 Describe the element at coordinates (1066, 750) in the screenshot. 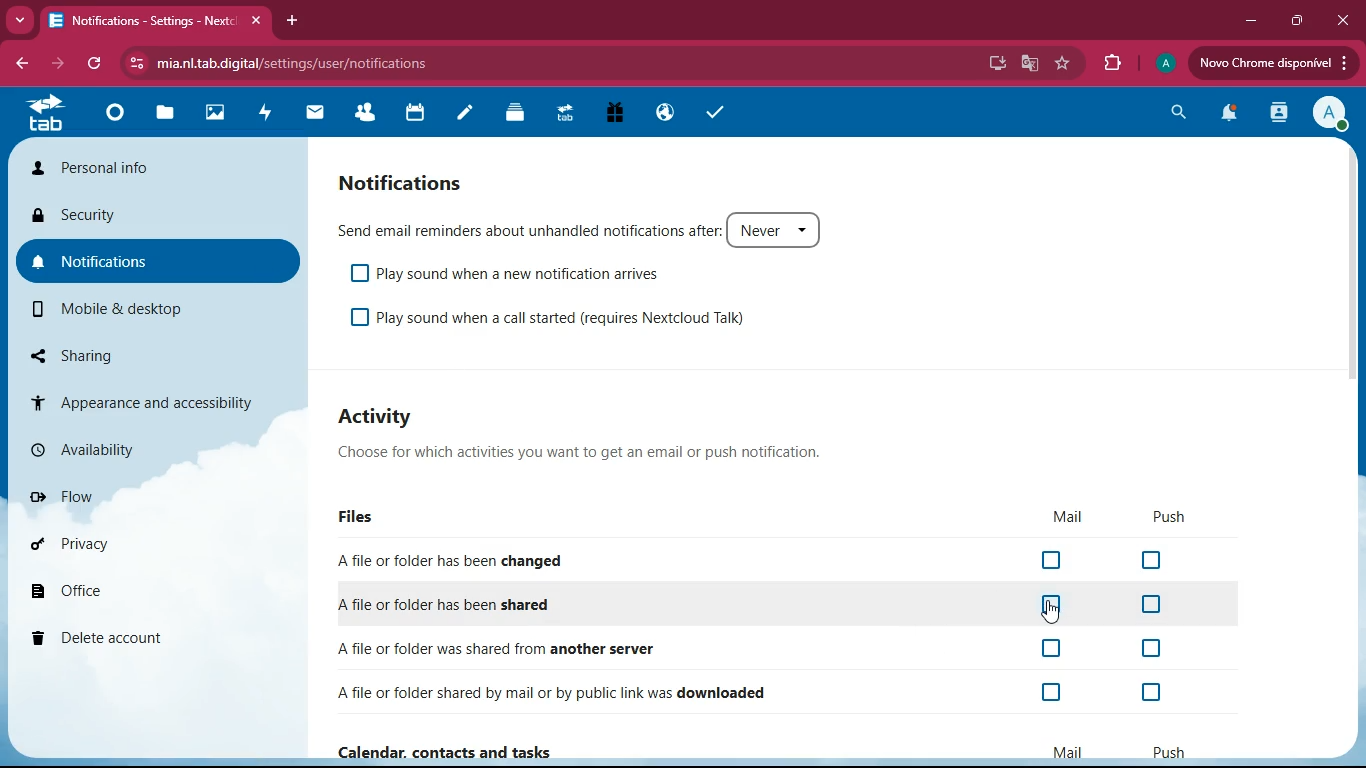

I see `mail` at that location.